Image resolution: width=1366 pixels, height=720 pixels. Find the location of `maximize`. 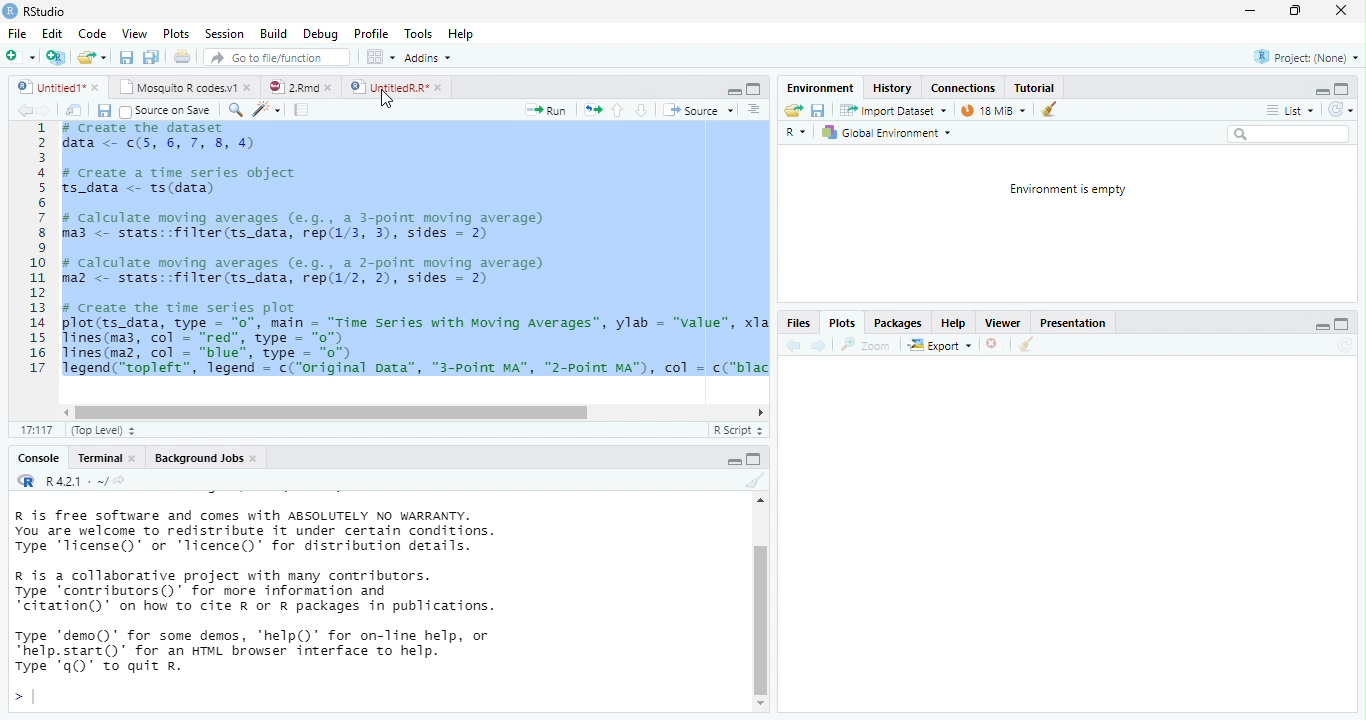

maximize is located at coordinates (735, 462).